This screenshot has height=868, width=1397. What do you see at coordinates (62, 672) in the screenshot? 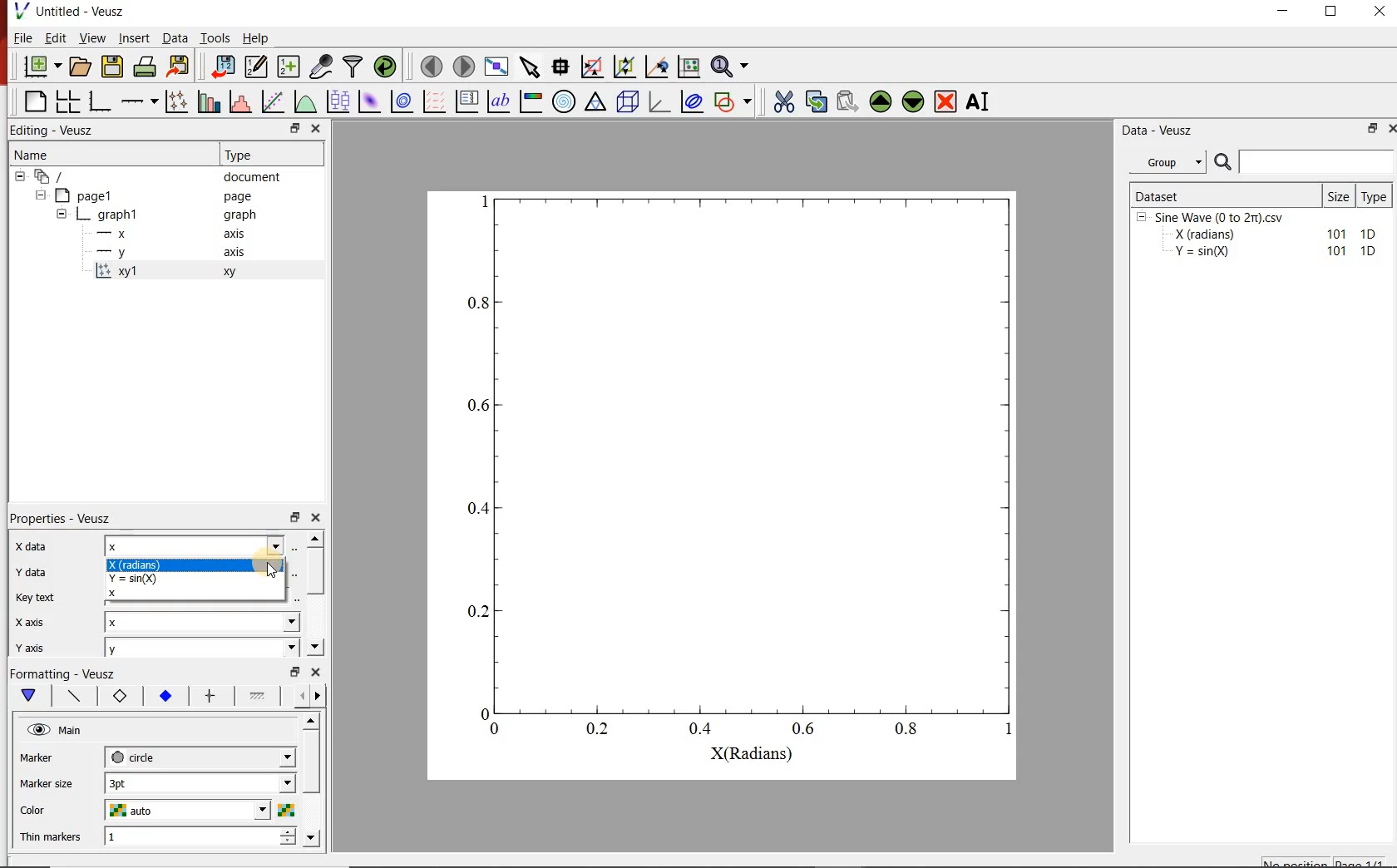
I see `Formatting - Veusz` at bounding box center [62, 672].